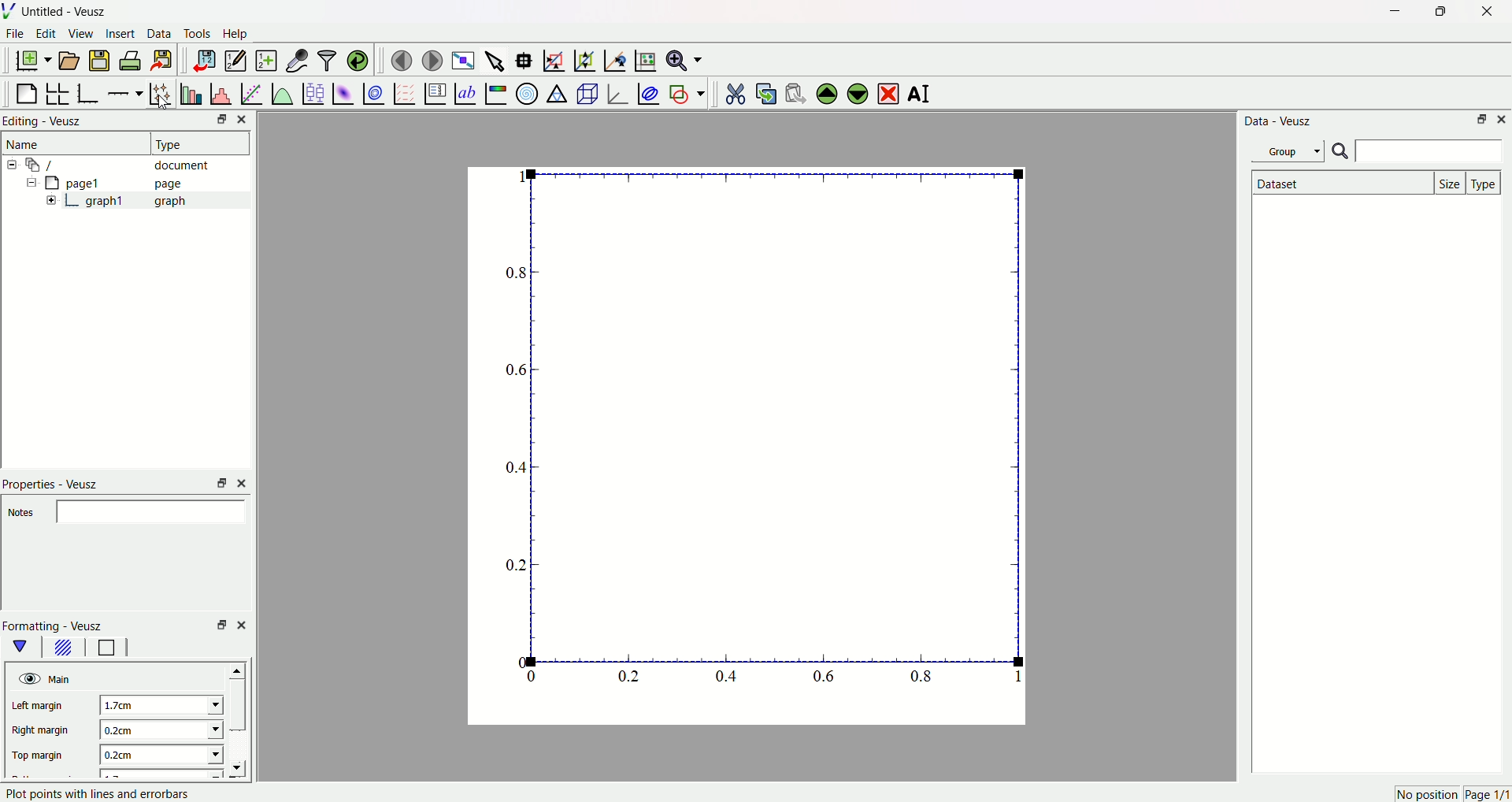  Describe the element at coordinates (52, 201) in the screenshot. I see `expand` at that location.